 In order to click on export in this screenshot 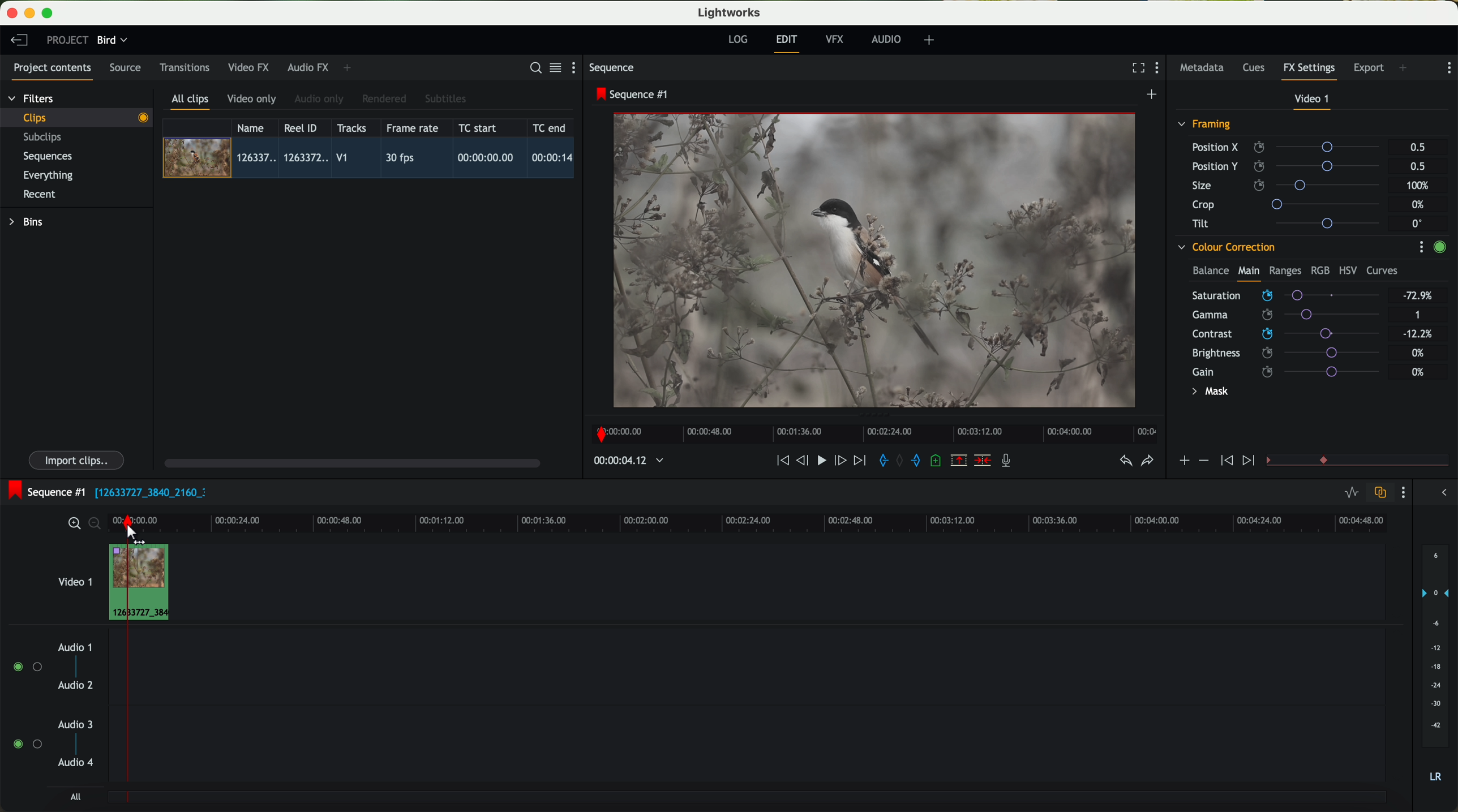, I will do `click(1369, 69)`.